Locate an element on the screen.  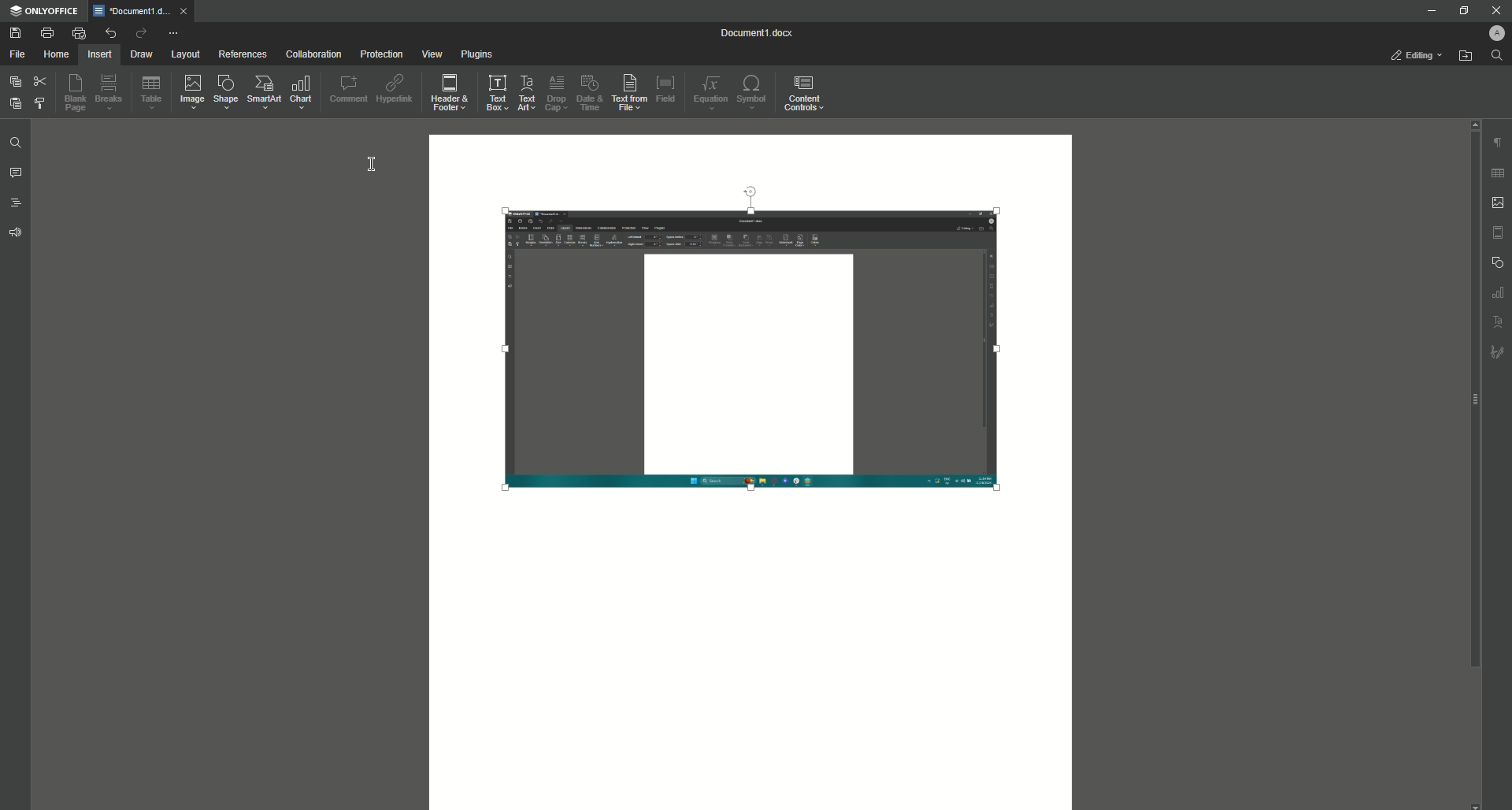
Plugins is located at coordinates (478, 56).